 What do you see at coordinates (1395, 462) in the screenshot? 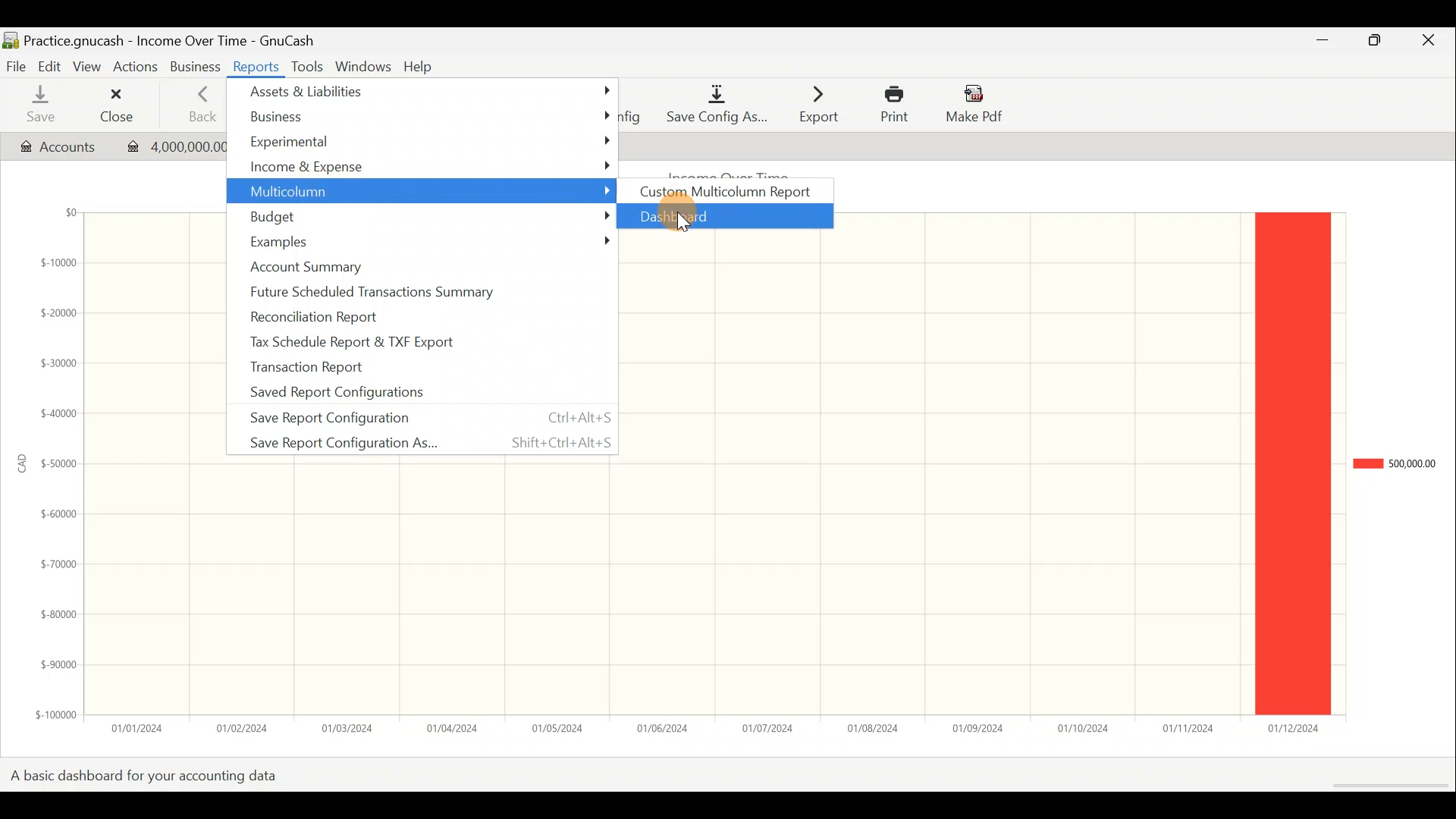
I see `Chart legend` at bounding box center [1395, 462].